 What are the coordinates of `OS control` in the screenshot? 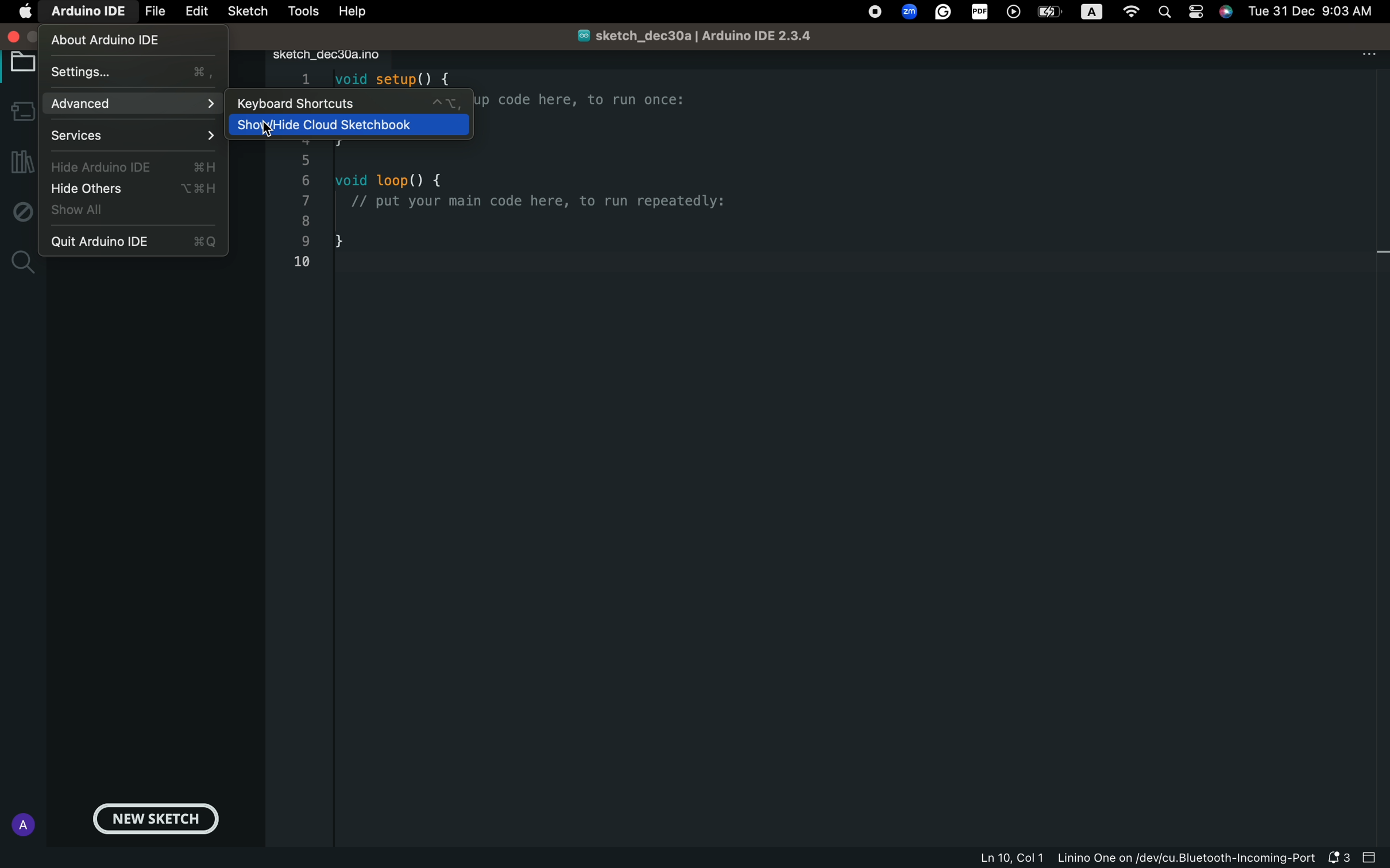 It's located at (1125, 12).